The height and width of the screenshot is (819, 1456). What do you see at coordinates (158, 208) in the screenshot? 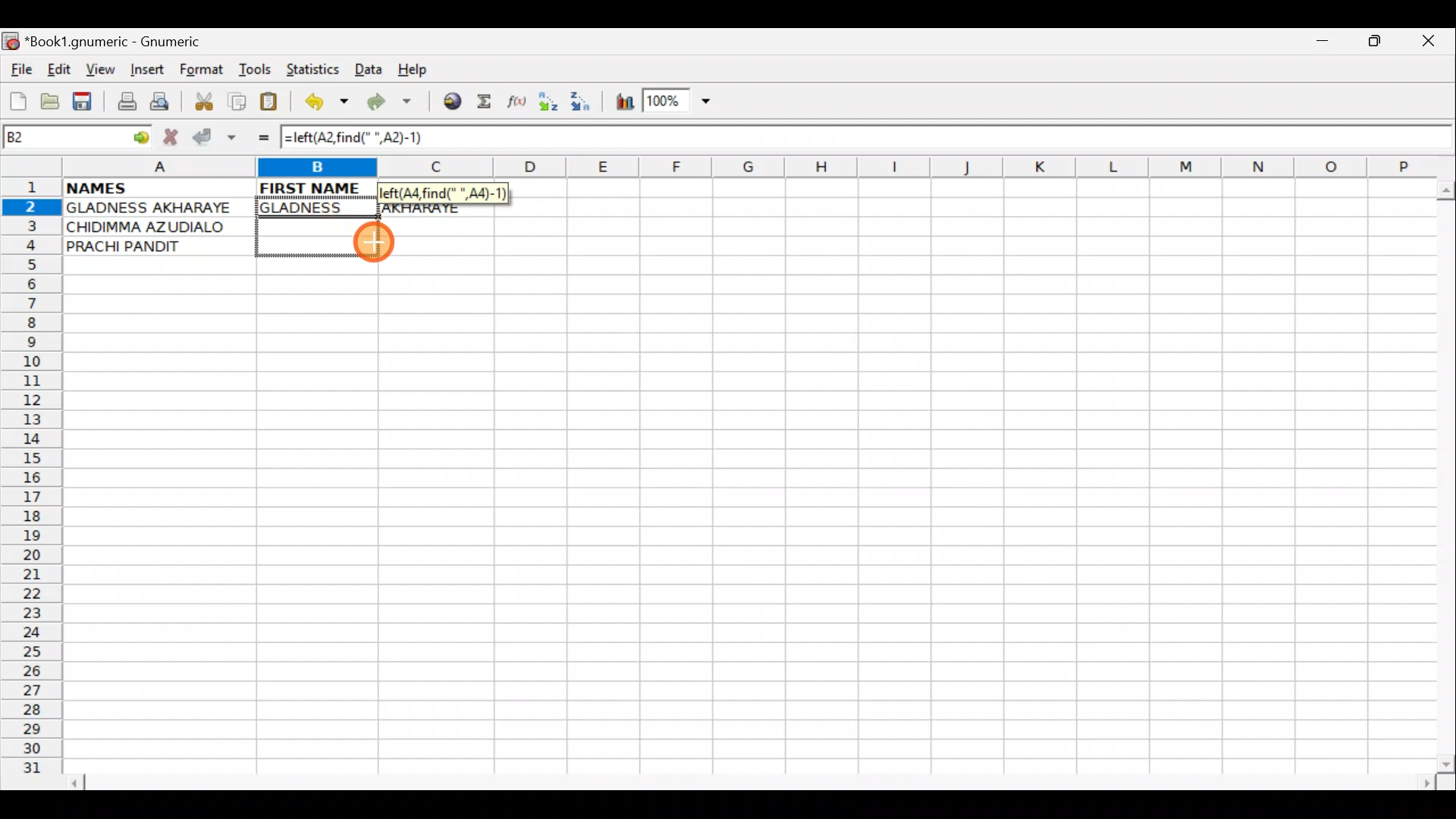
I see `GLADNESS AKHARAYE` at bounding box center [158, 208].